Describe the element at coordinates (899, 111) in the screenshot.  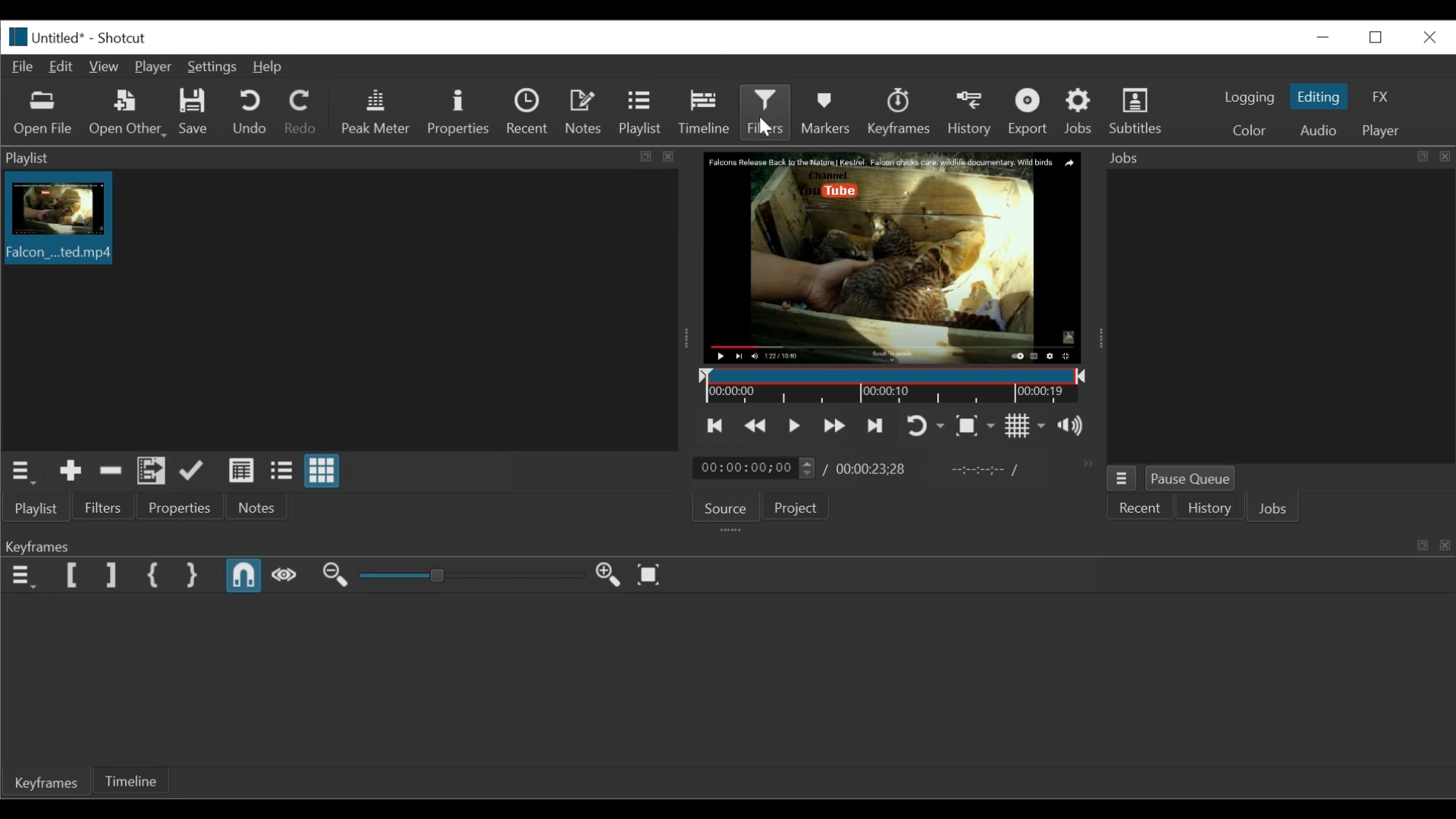
I see `Keyframes` at that location.